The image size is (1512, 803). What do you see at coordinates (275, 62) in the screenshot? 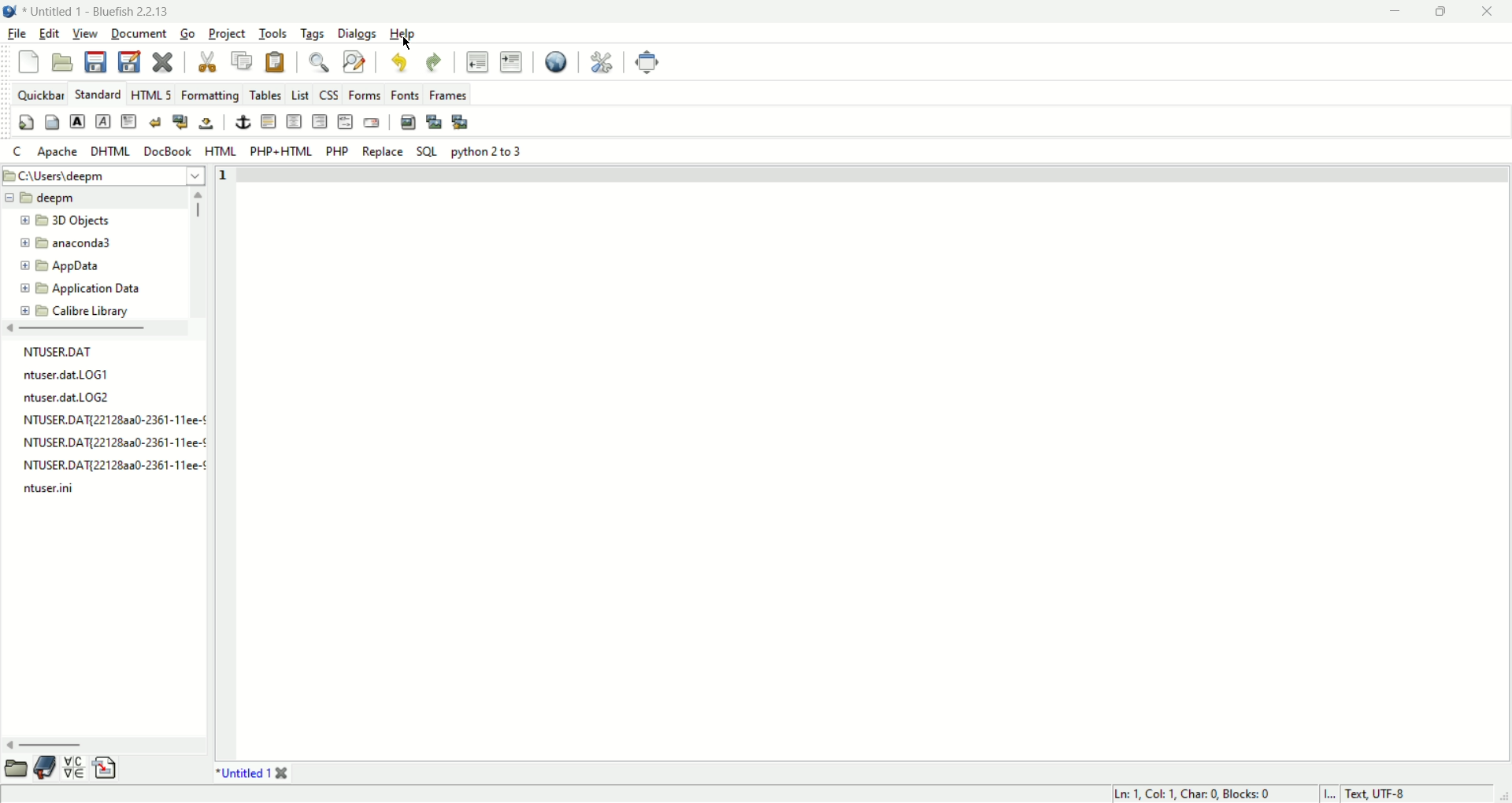
I see `paste` at bounding box center [275, 62].